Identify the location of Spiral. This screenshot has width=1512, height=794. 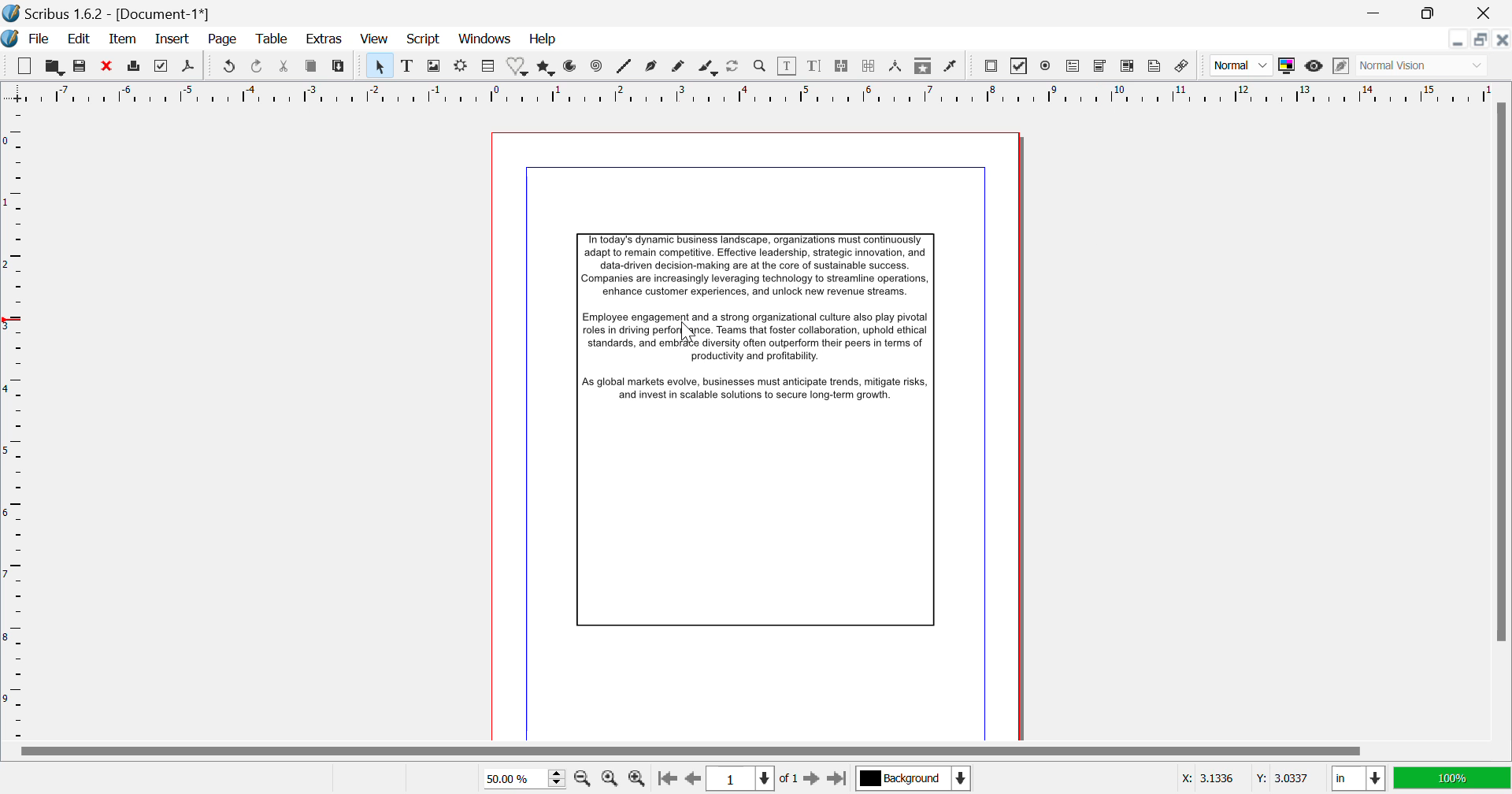
(624, 66).